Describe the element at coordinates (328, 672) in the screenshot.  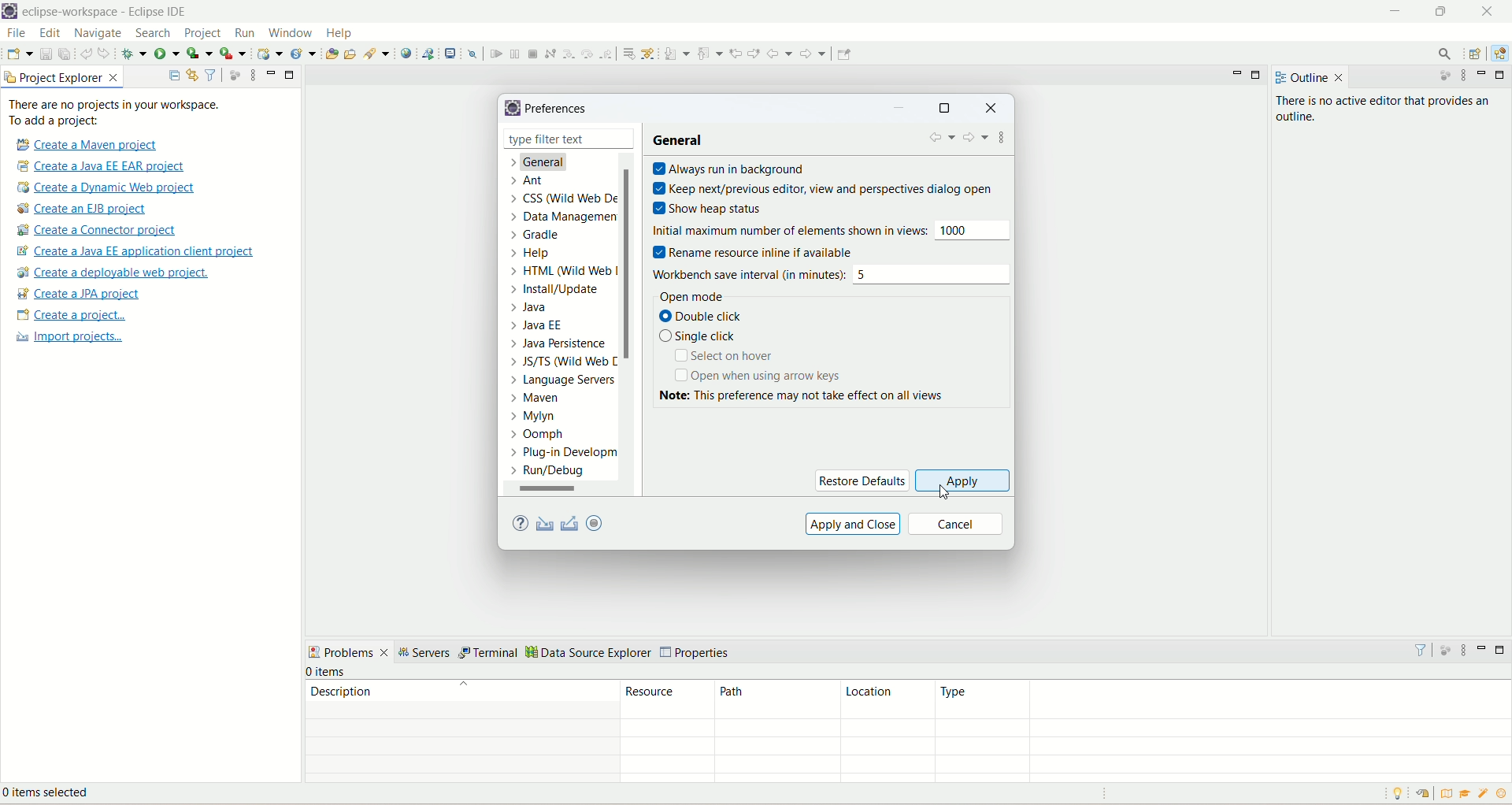
I see `0 items` at that location.